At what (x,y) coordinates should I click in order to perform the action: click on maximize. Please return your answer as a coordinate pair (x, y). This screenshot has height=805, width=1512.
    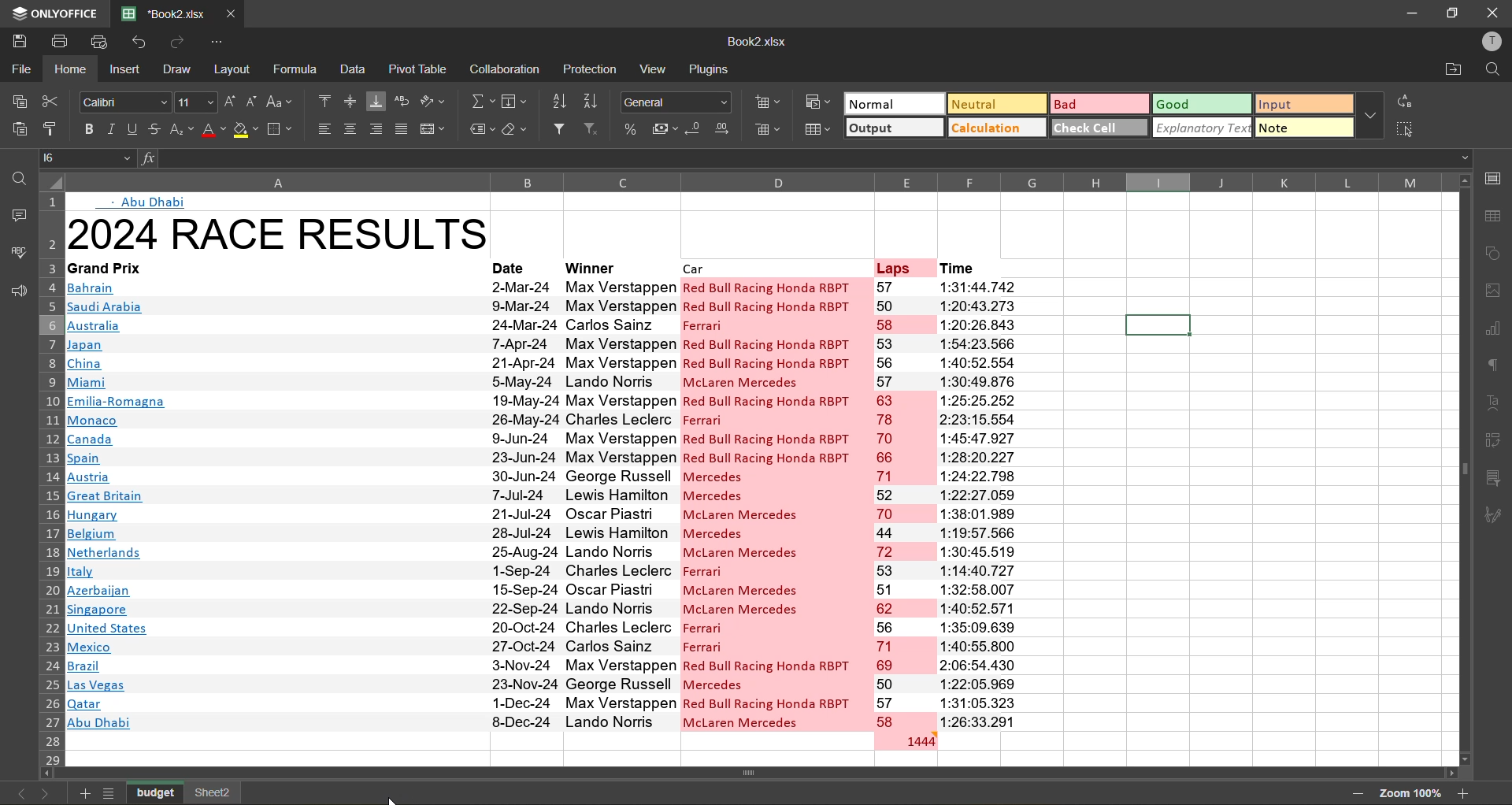
    Looking at the image, I should click on (1450, 13).